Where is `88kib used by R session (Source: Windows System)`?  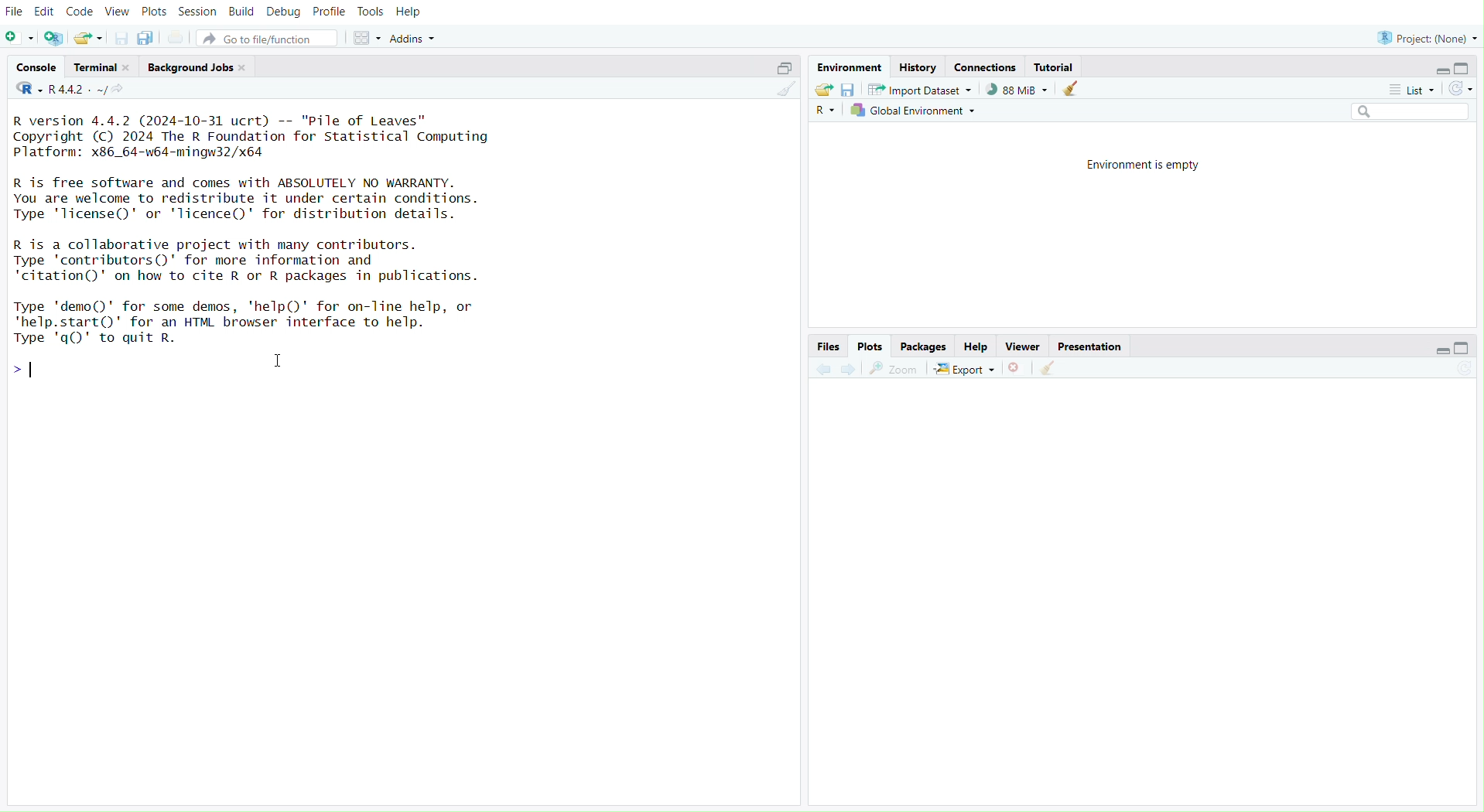
88kib used by R session (Source: Windows System) is located at coordinates (1014, 90).